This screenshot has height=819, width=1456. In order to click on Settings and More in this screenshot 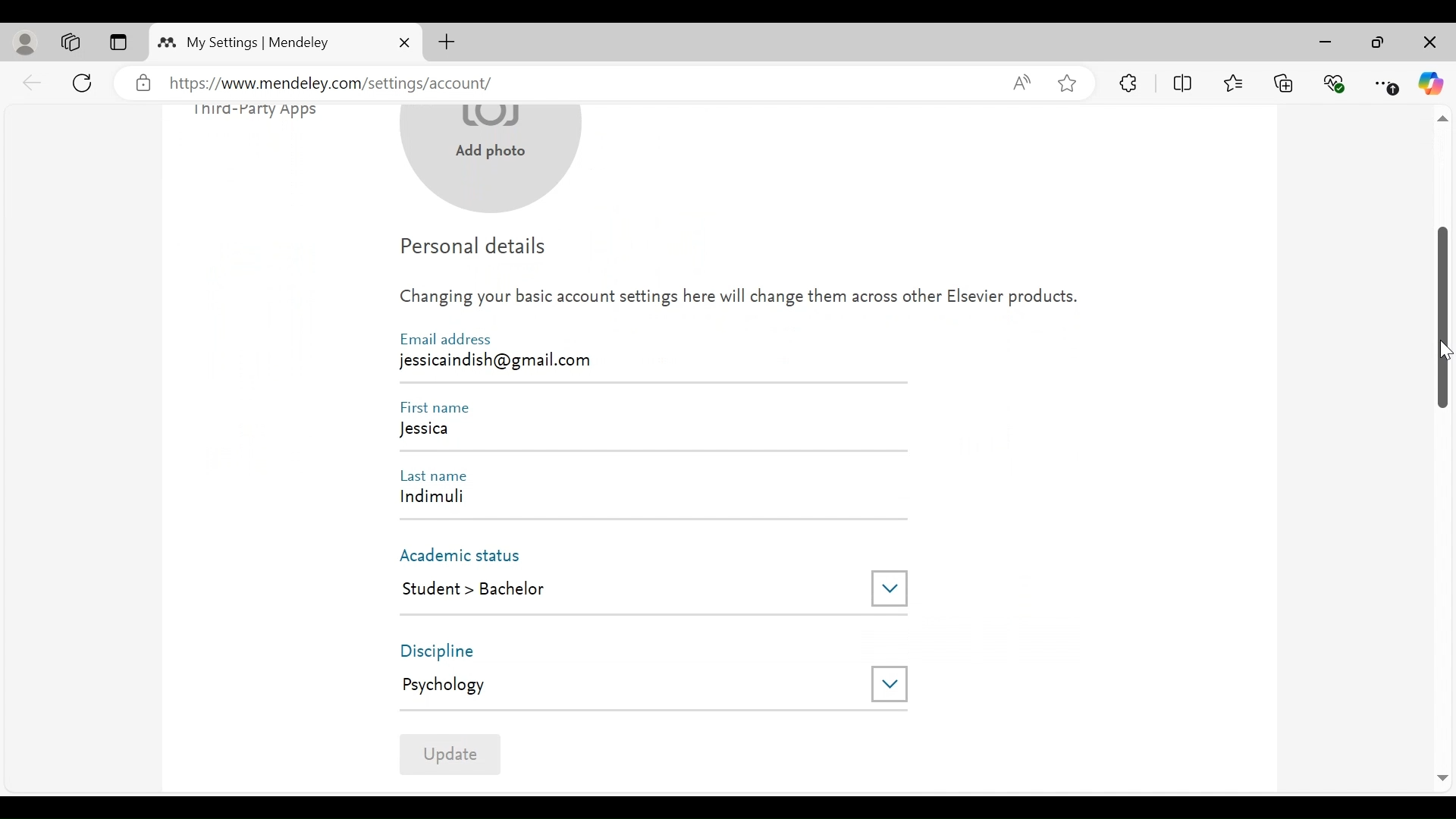, I will do `click(1387, 84)`.